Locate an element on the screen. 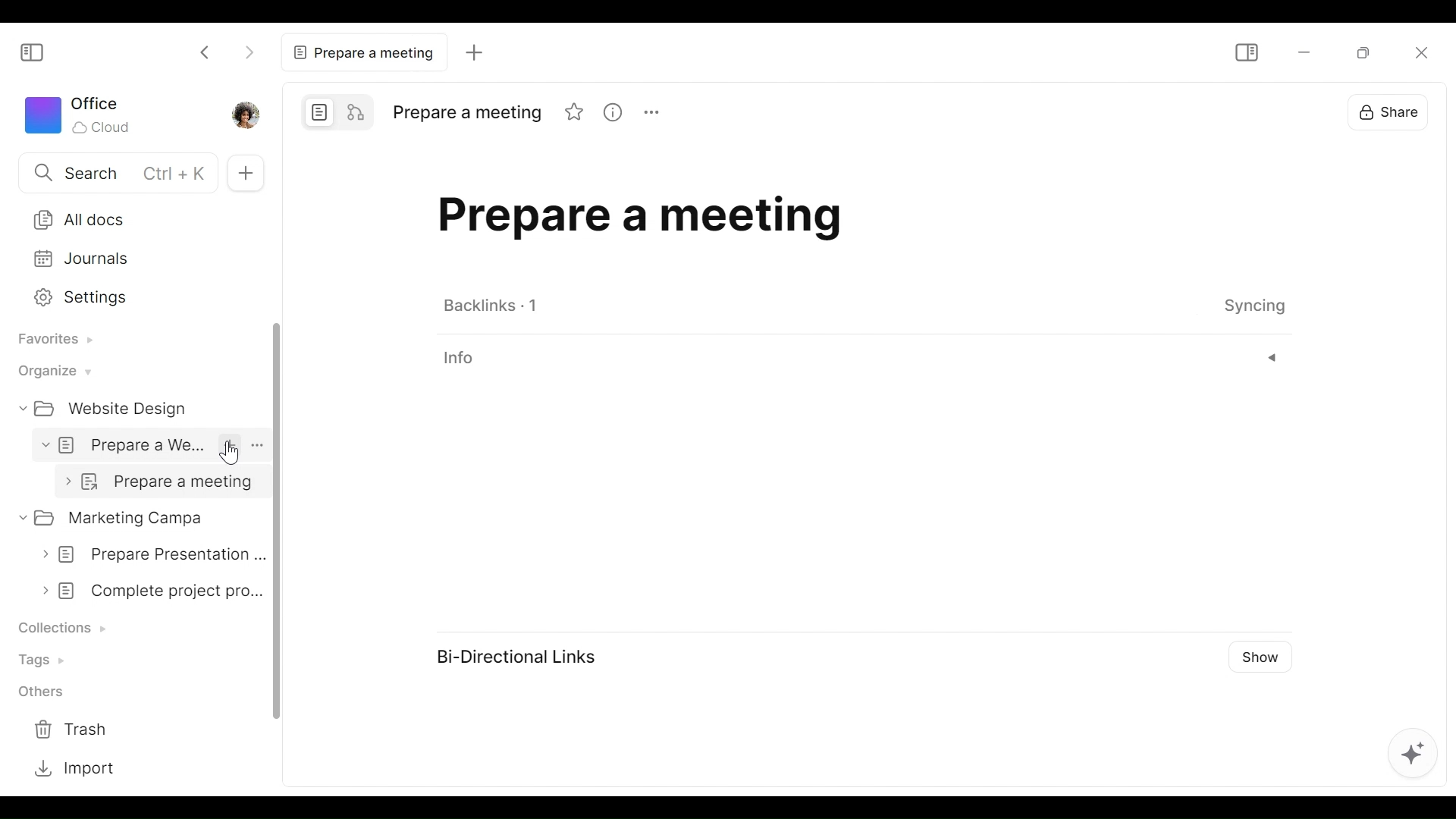  more is located at coordinates (656, 111).